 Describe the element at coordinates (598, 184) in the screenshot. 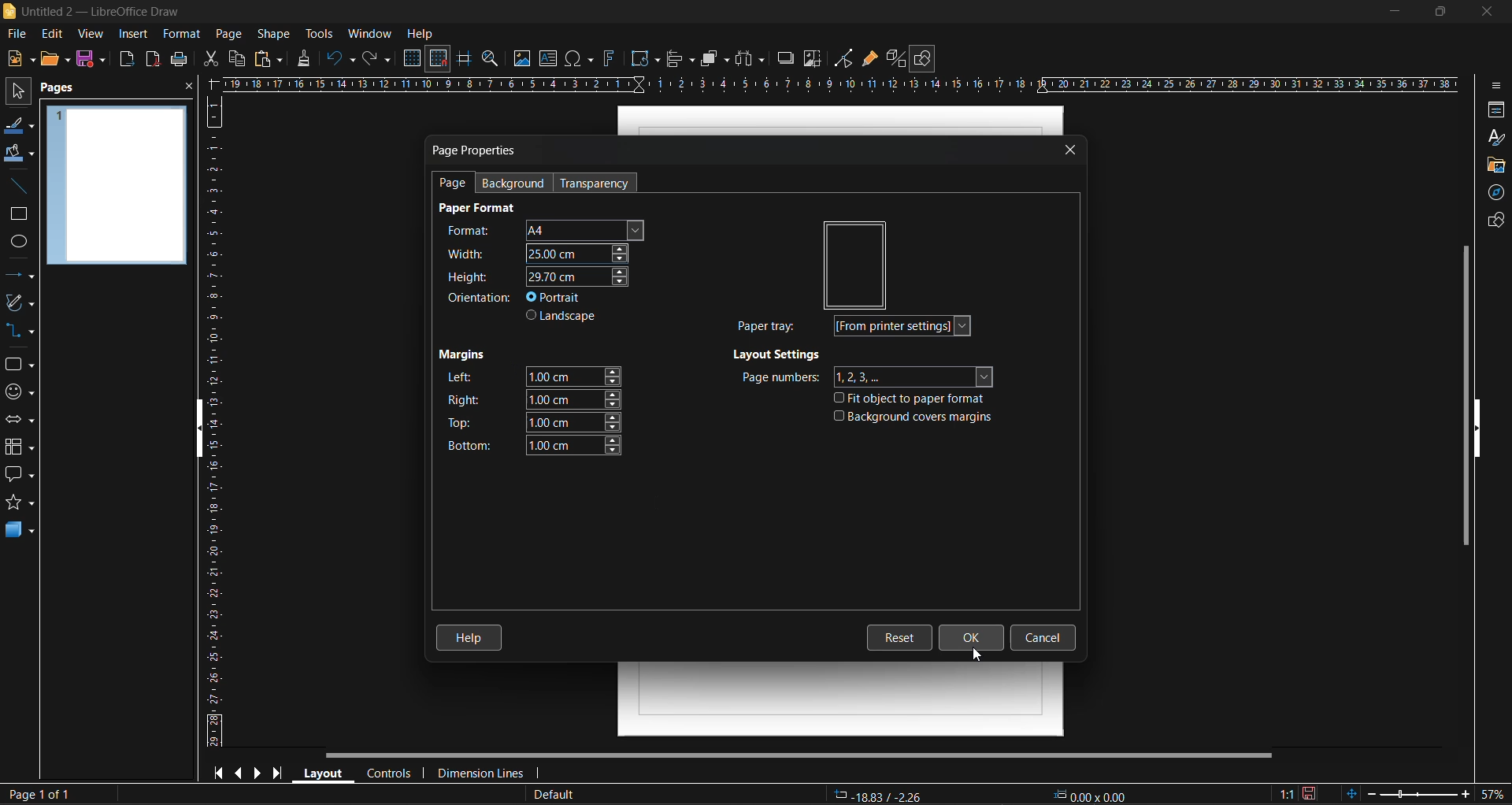

I see `transparency` at that location.